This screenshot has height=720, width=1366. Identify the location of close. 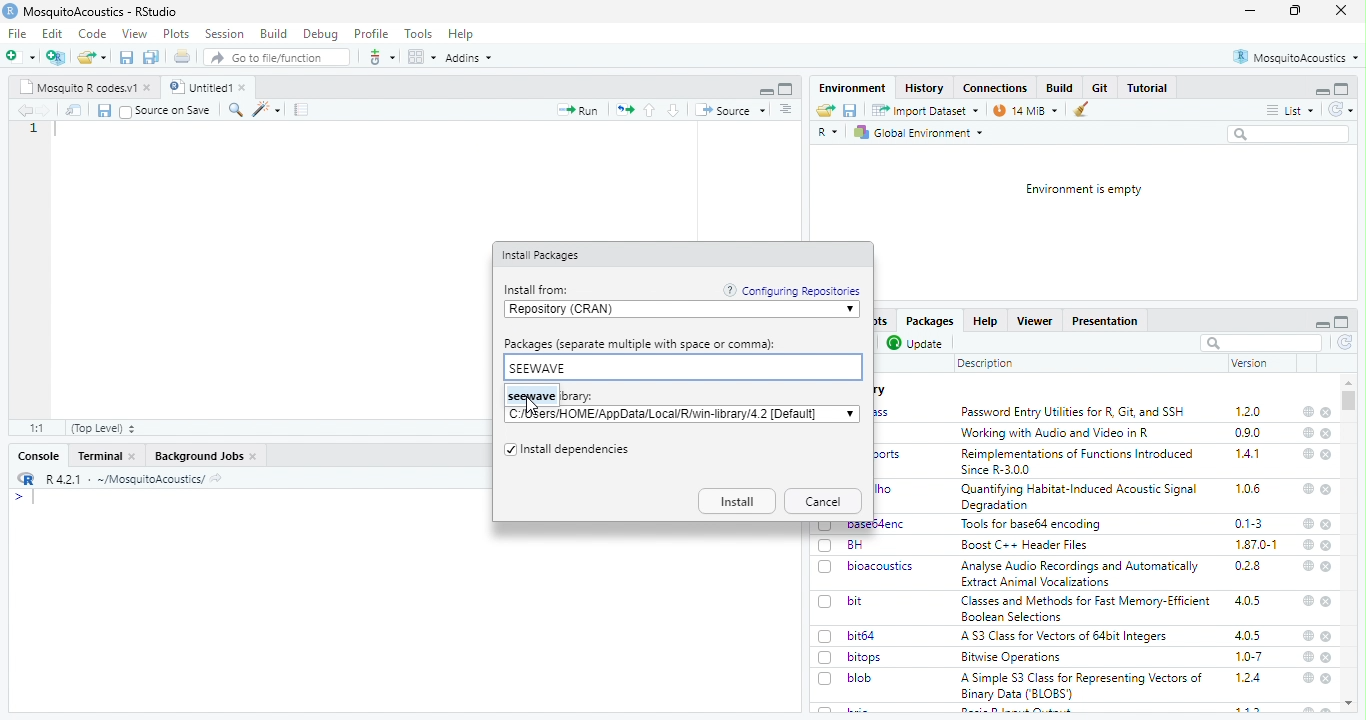
(149, 88).